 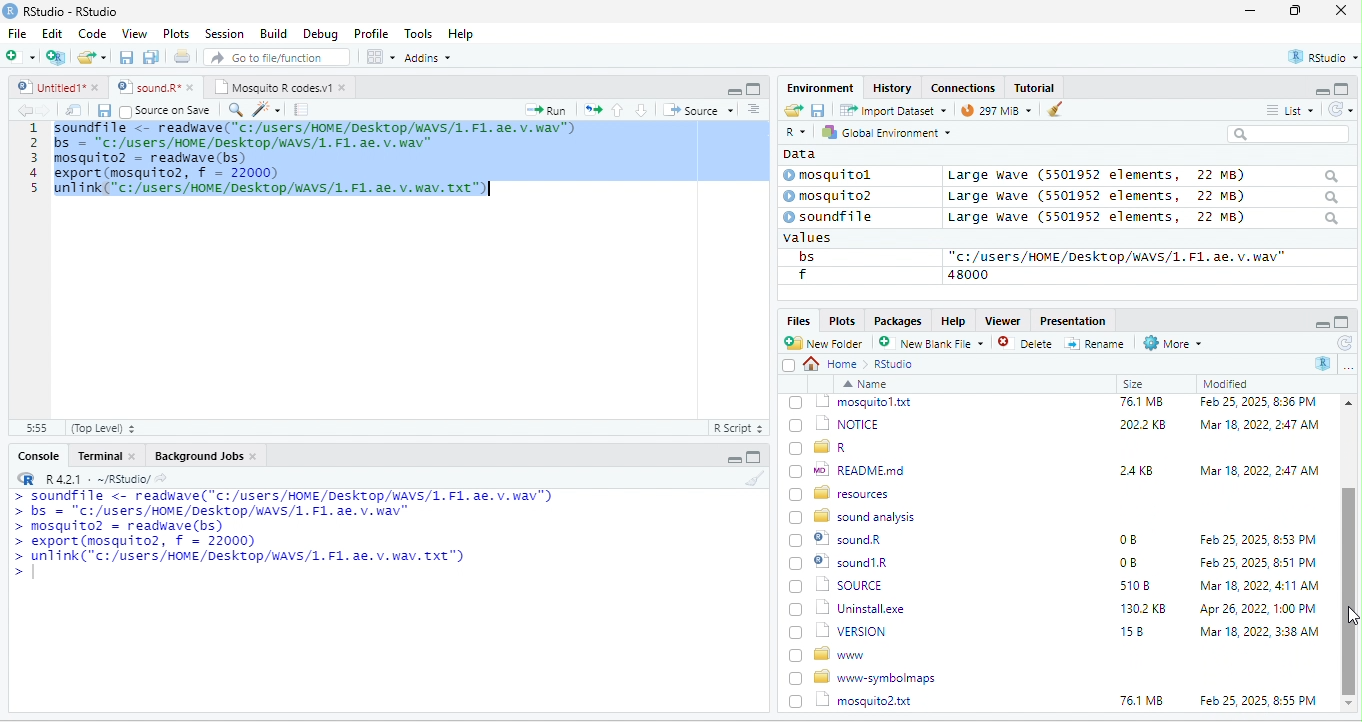 I want to click on scroll bar, so click(x=759, y=267).